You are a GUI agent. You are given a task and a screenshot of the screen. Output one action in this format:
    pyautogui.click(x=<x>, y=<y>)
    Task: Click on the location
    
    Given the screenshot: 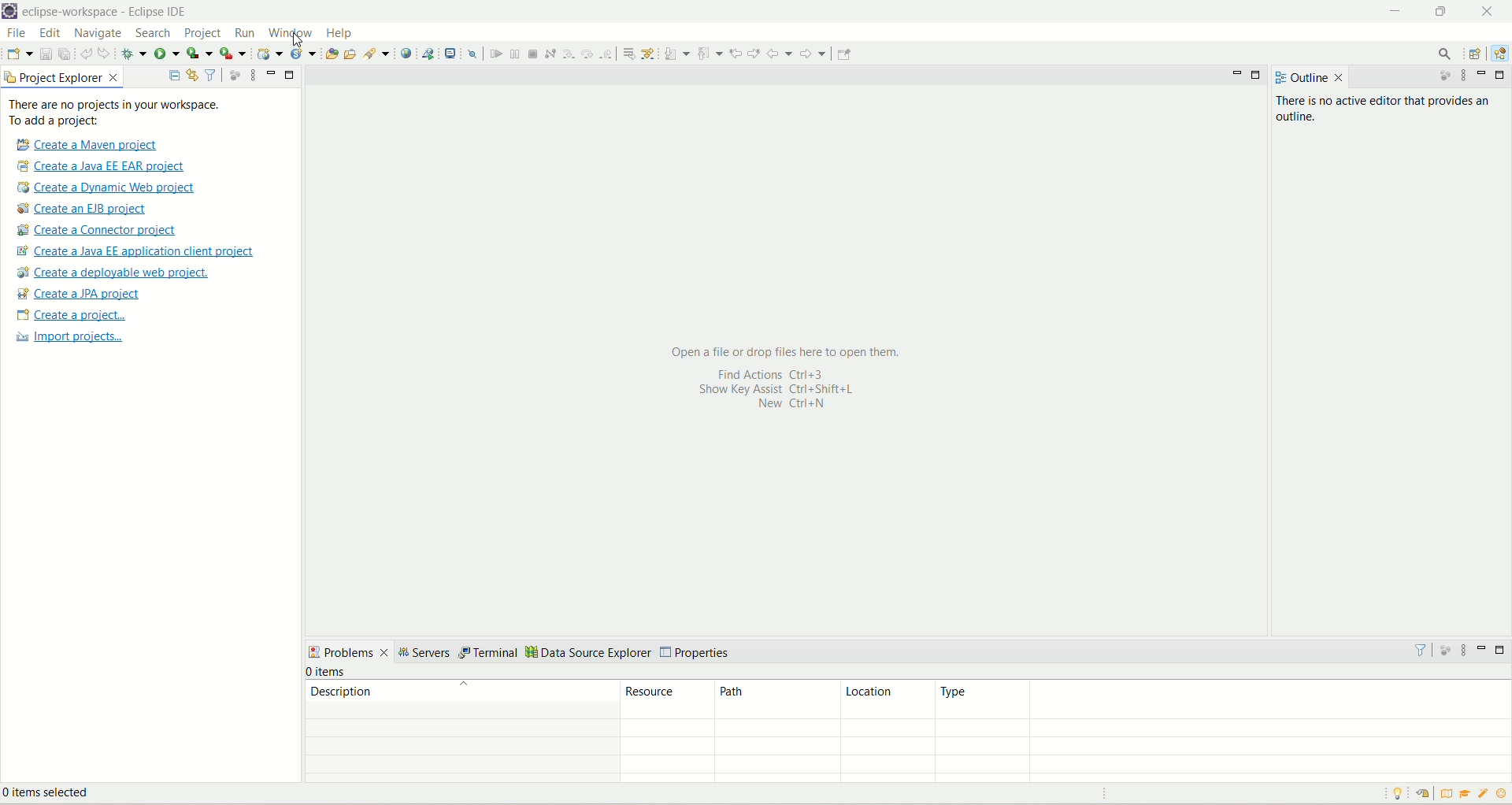 What is the action you would take?
    pyautogui.click(x=885, y=700)
    